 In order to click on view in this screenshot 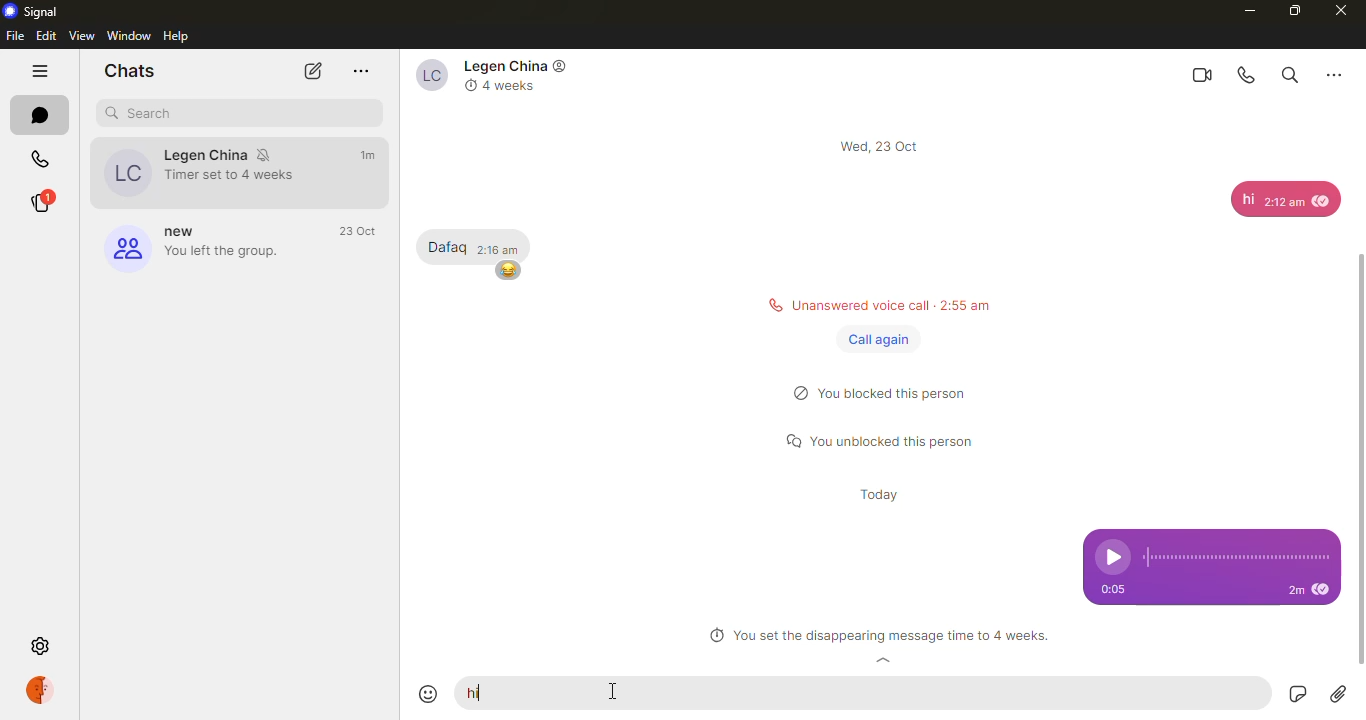, I will do `click(83, 35)`.